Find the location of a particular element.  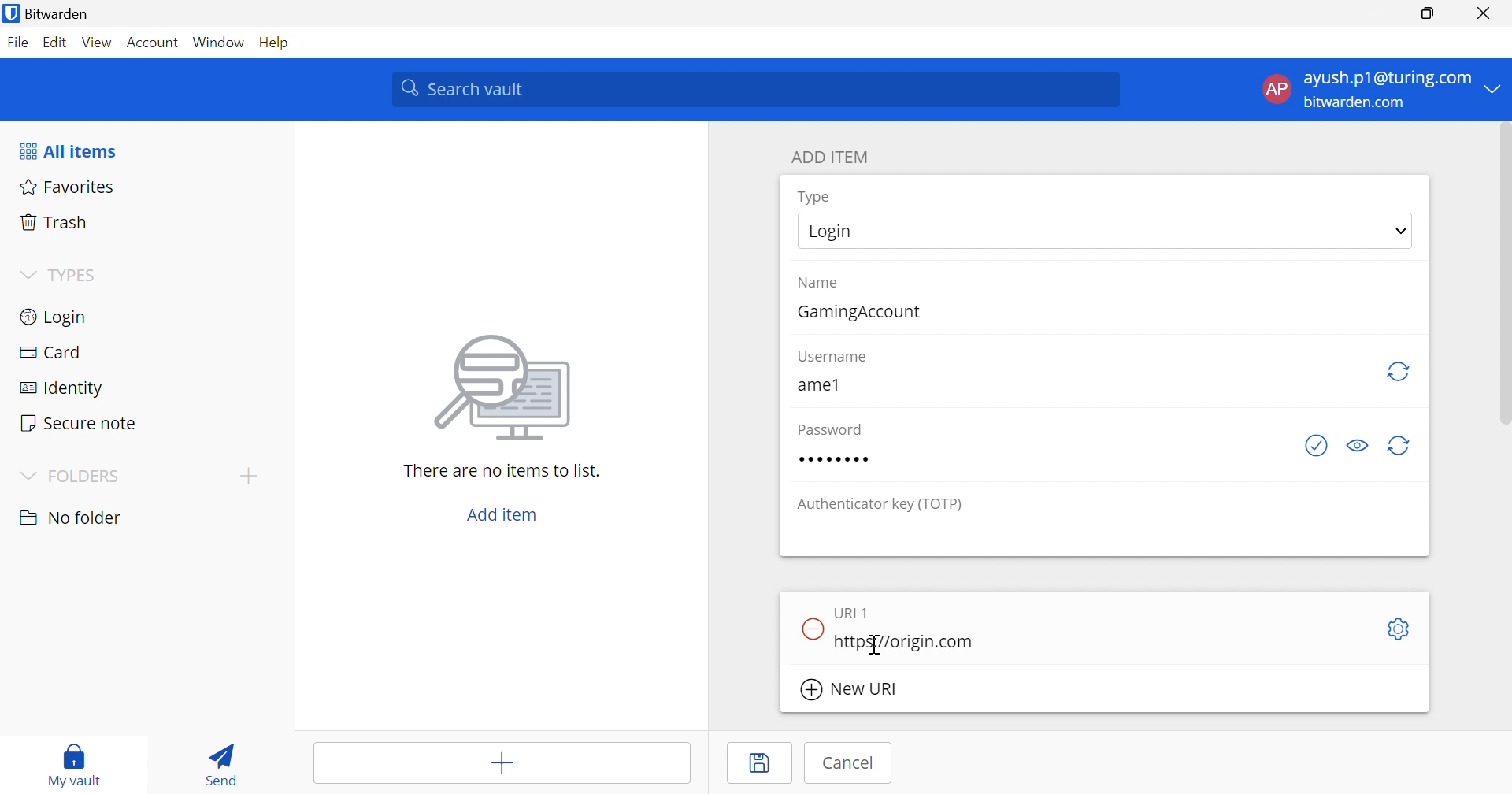

My vault is located at coordinates (72, 762).